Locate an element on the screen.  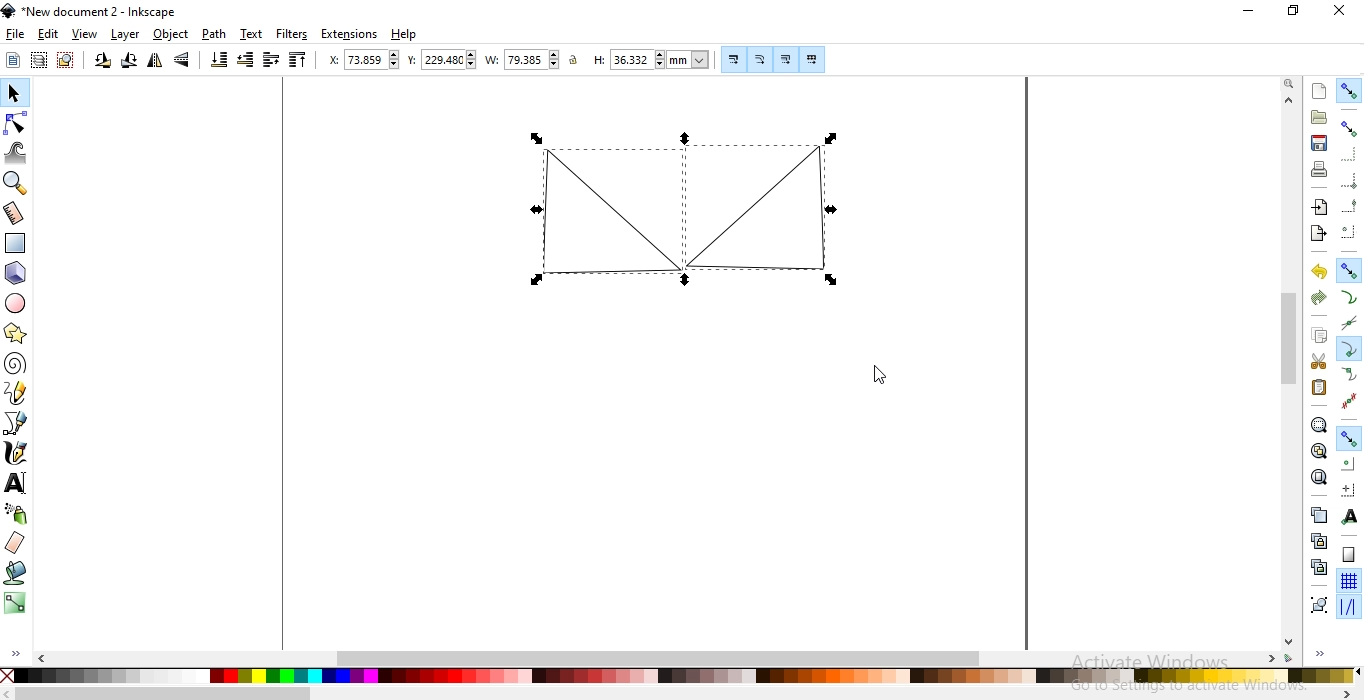
flip horizontally is located at coordinates (155, 61).